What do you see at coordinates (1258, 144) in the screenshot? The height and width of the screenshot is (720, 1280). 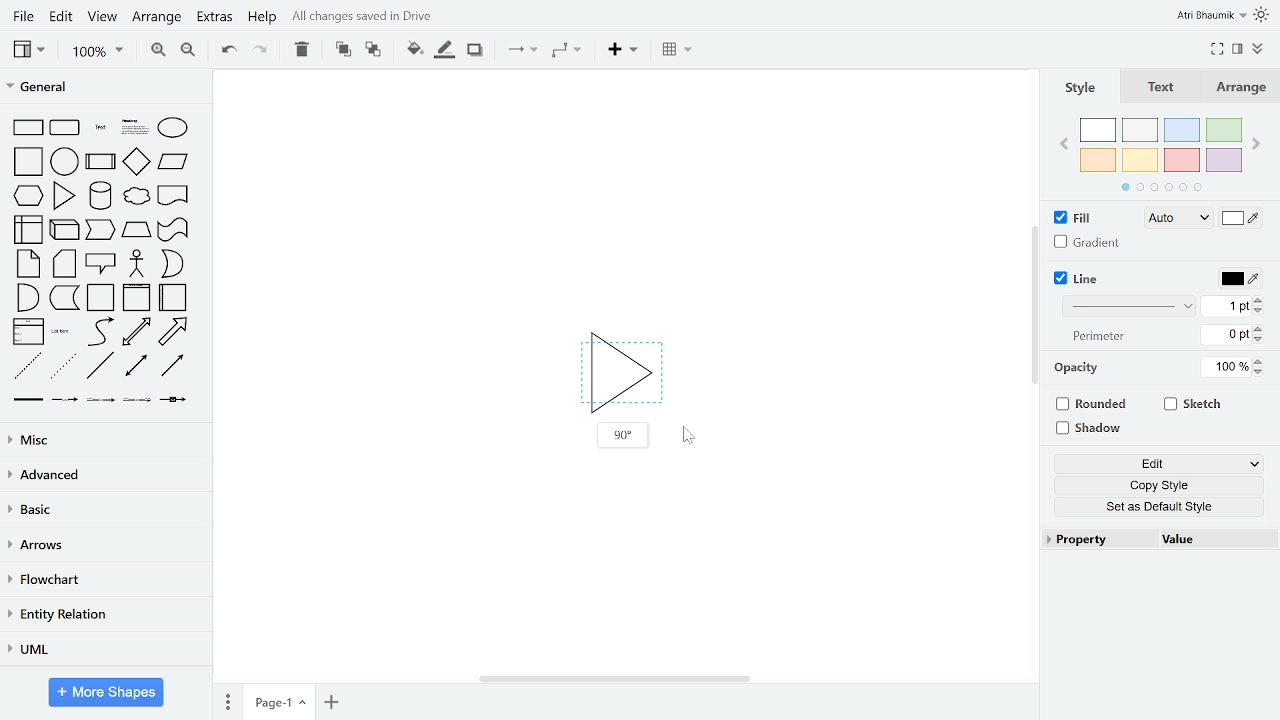 I see `next` at bounding box center [1258, 144].